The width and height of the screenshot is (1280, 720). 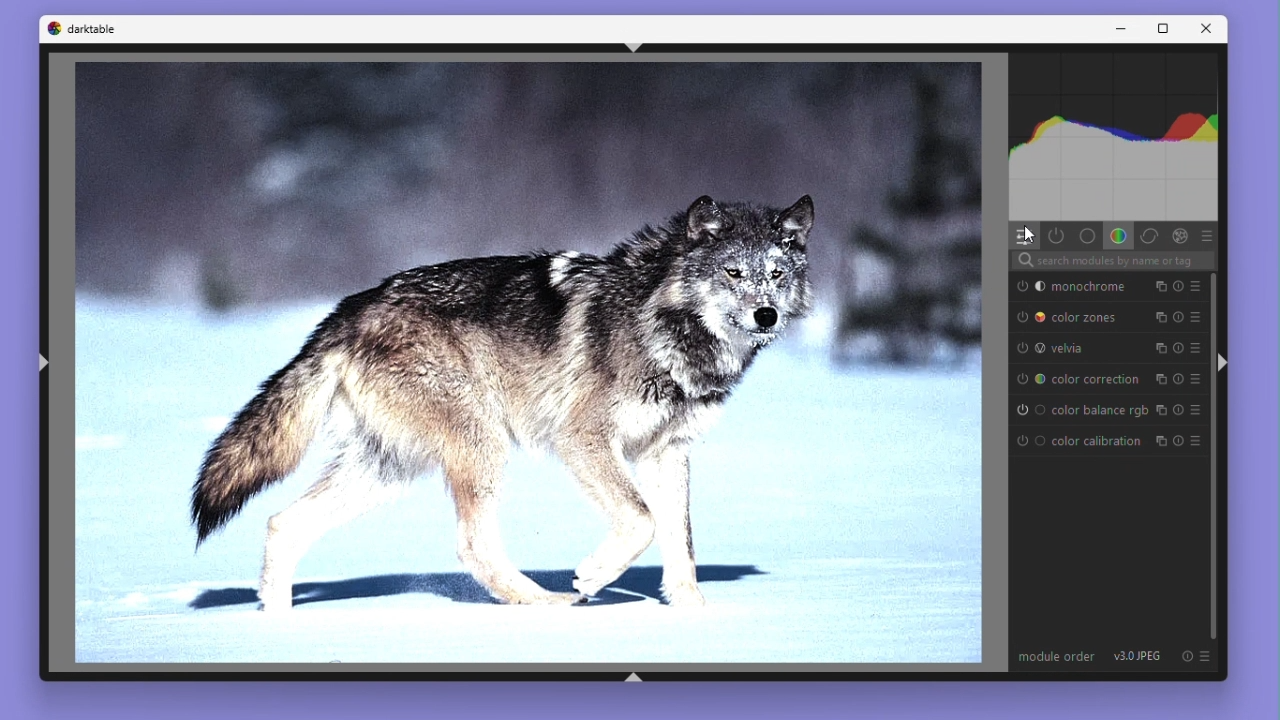 What do you see at coordinates (1160, 316) in the screenshot?
I see `multiple instance actions` at bounding box center [1160, 316].